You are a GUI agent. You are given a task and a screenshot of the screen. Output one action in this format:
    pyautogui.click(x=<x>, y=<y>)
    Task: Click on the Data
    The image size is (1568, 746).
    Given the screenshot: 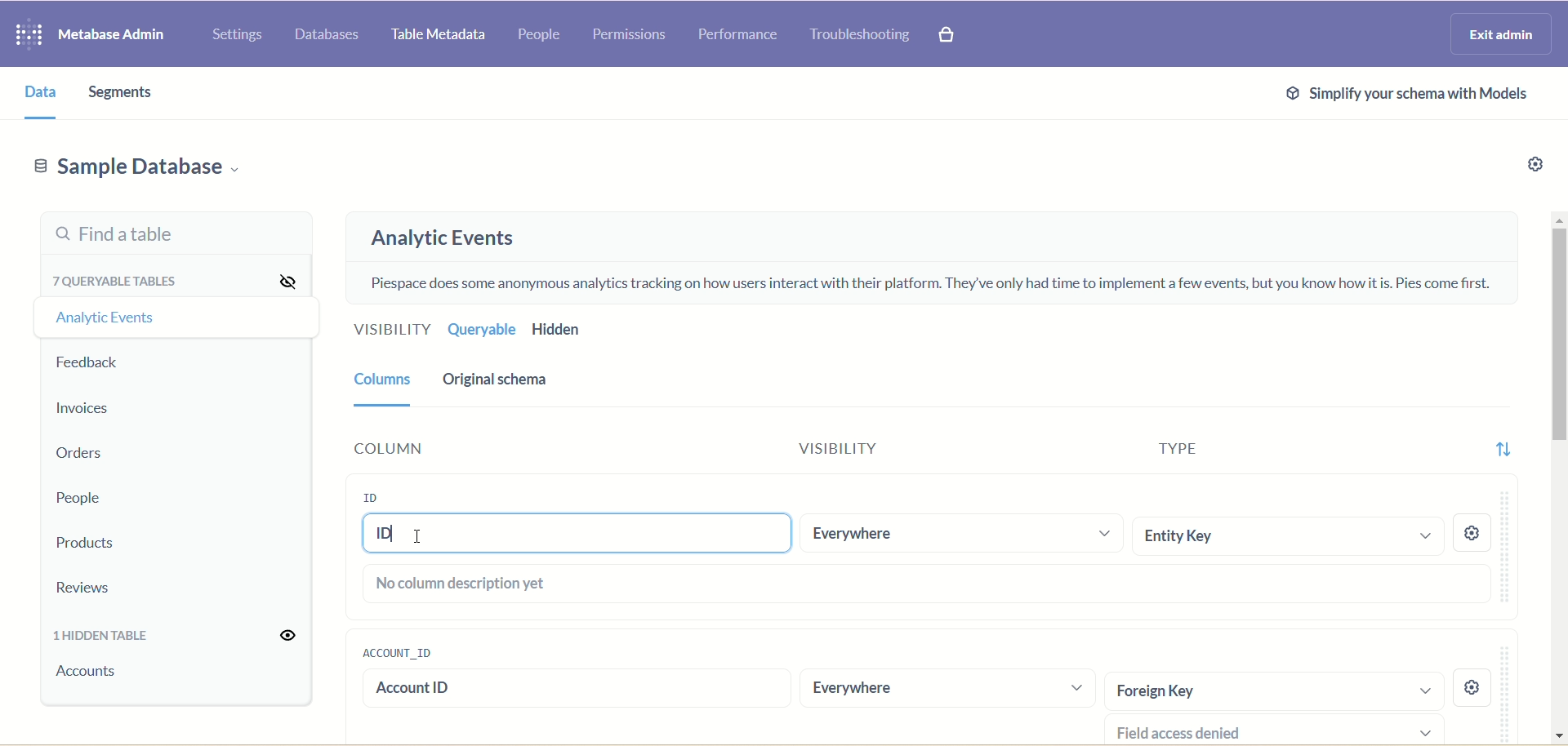 What is the action you would take?
    pyautogui.click(x=36, y=92)
    